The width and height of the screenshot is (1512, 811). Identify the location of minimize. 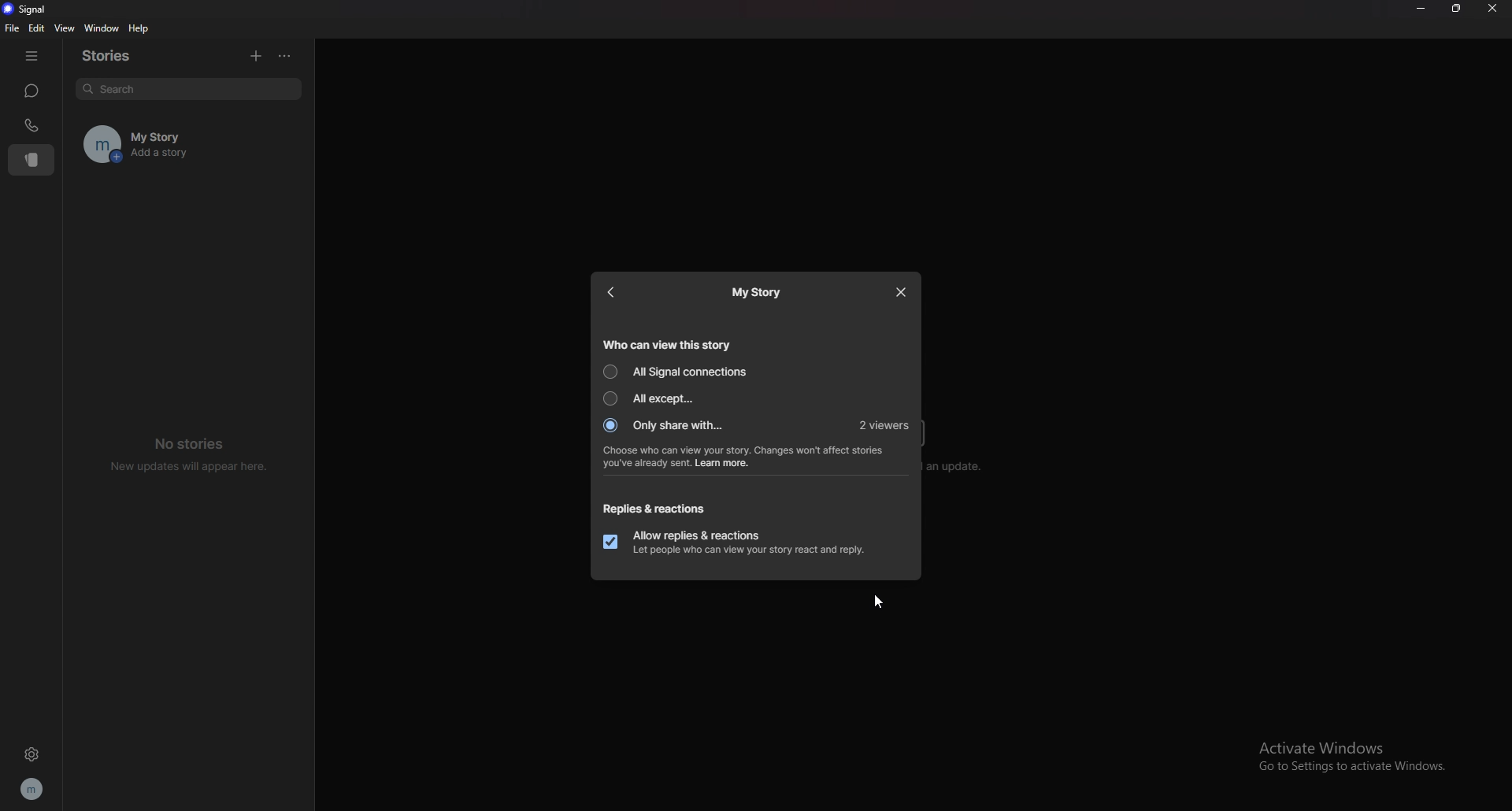
(1421, 9).